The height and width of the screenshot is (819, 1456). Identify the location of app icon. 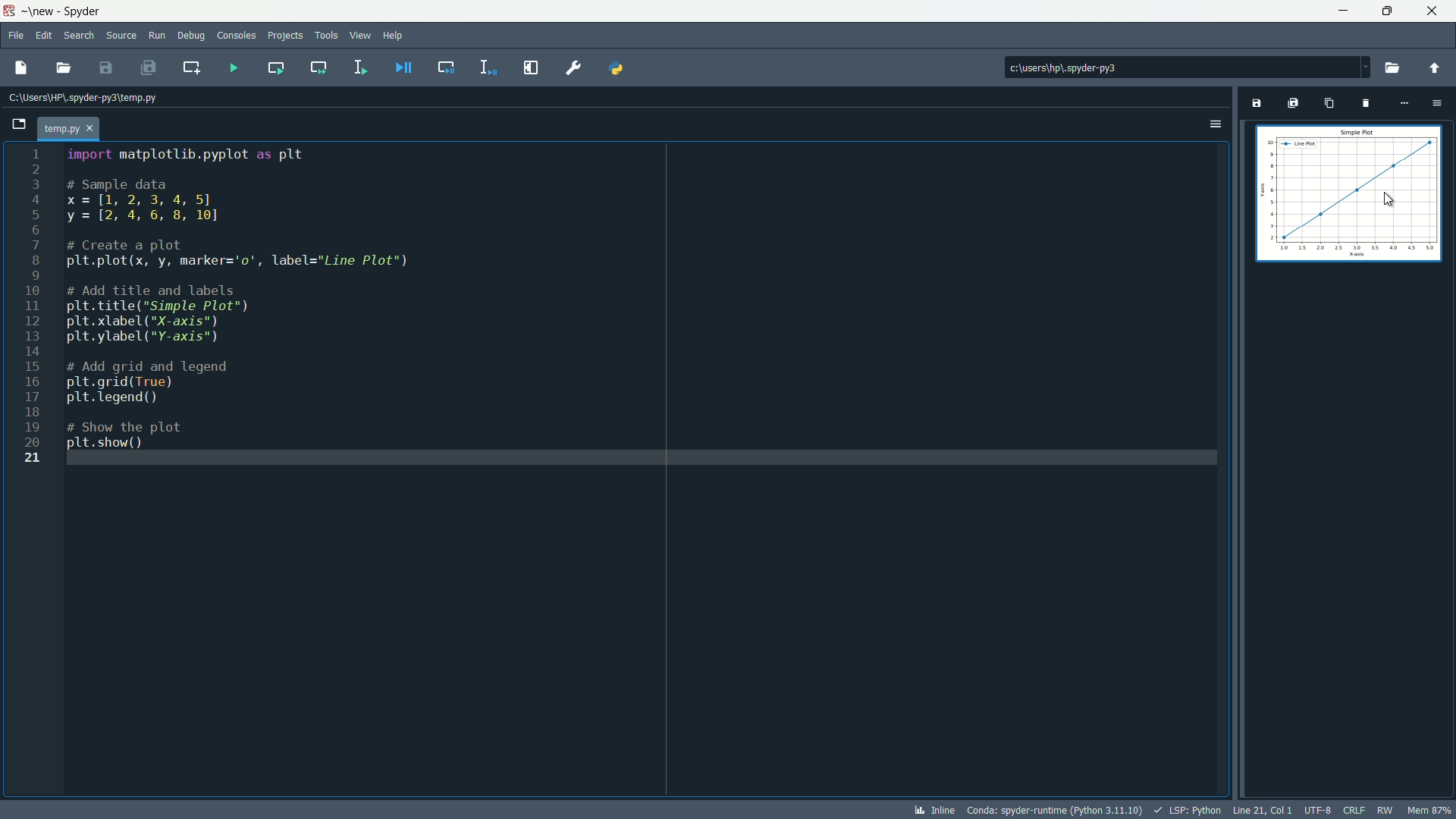
(9, 9).